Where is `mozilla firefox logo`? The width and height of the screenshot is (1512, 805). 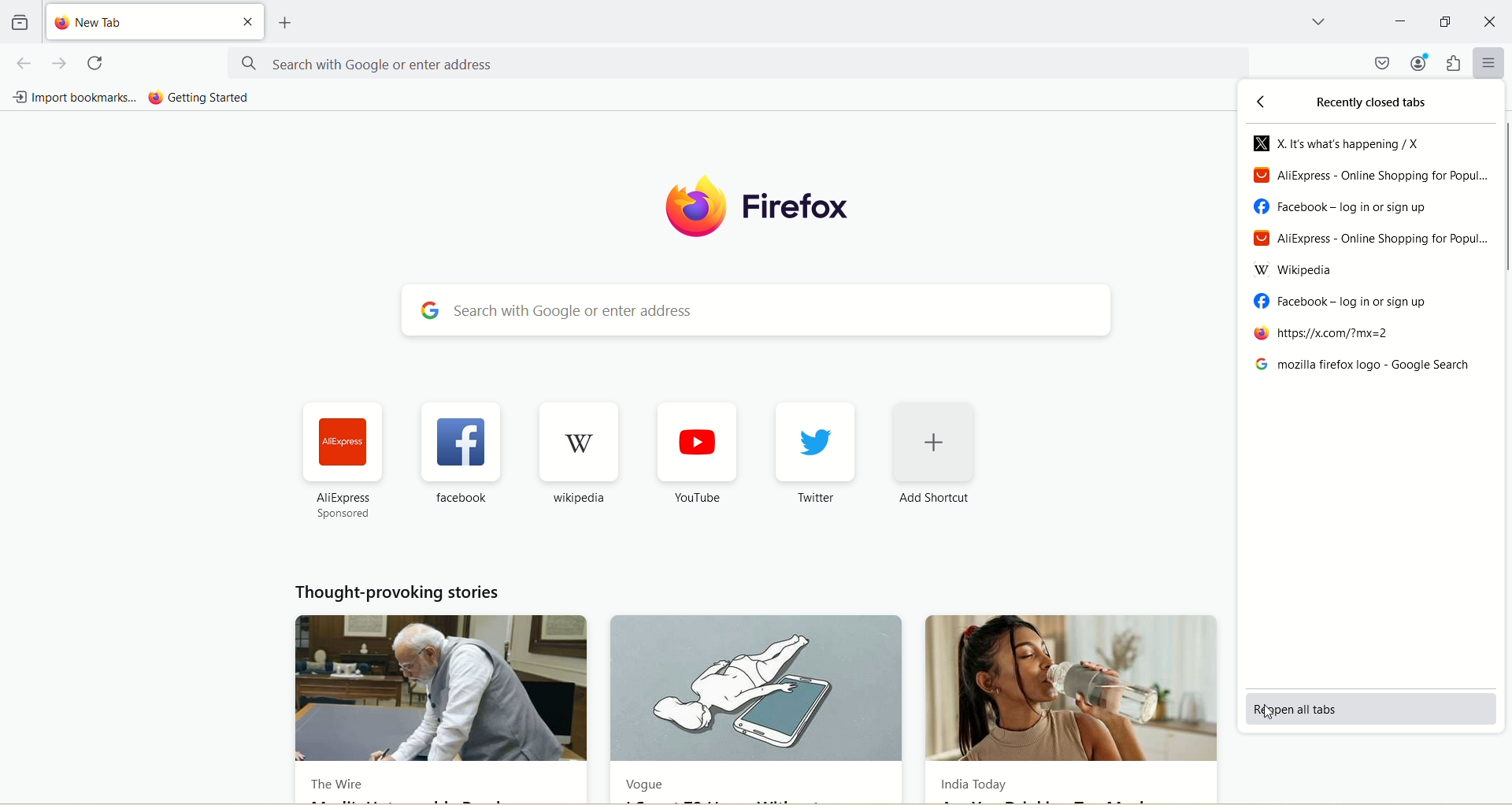
mozilla firefox logo is located at coordinates (1375, 365).